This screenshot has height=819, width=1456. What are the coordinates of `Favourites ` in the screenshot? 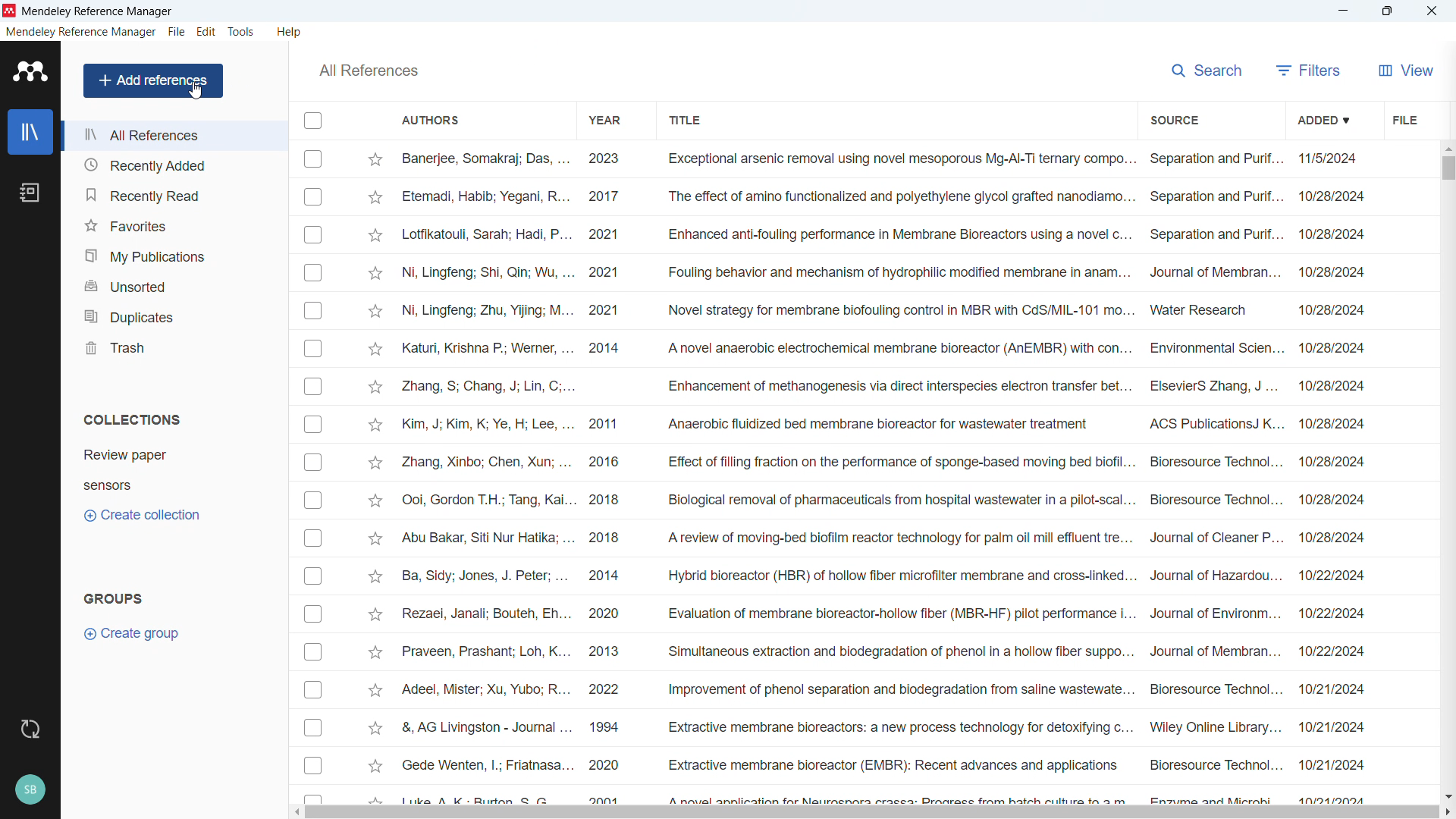 It's located at (173, 225).